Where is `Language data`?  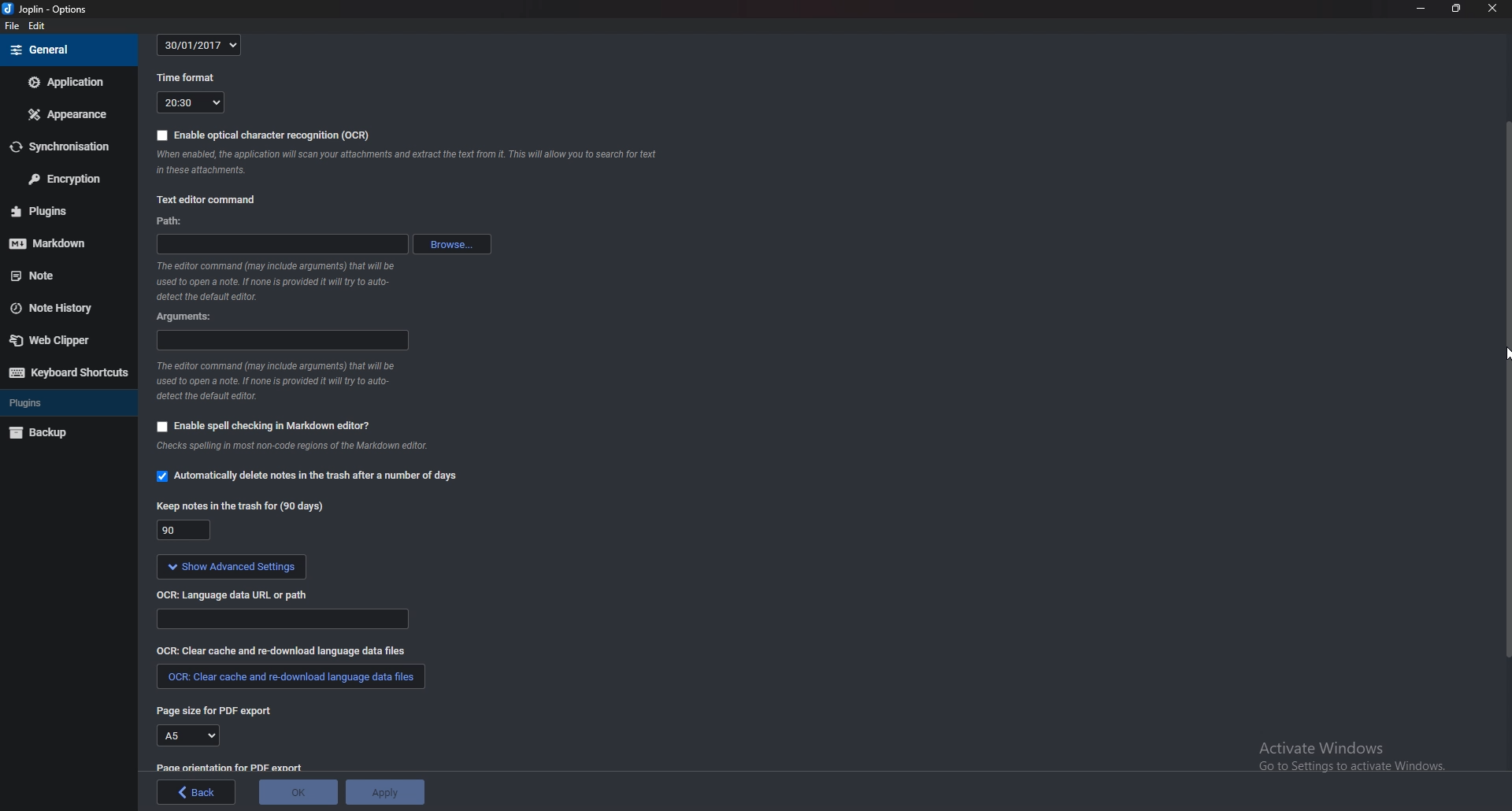 Language data is located at coordinates (284, 620).